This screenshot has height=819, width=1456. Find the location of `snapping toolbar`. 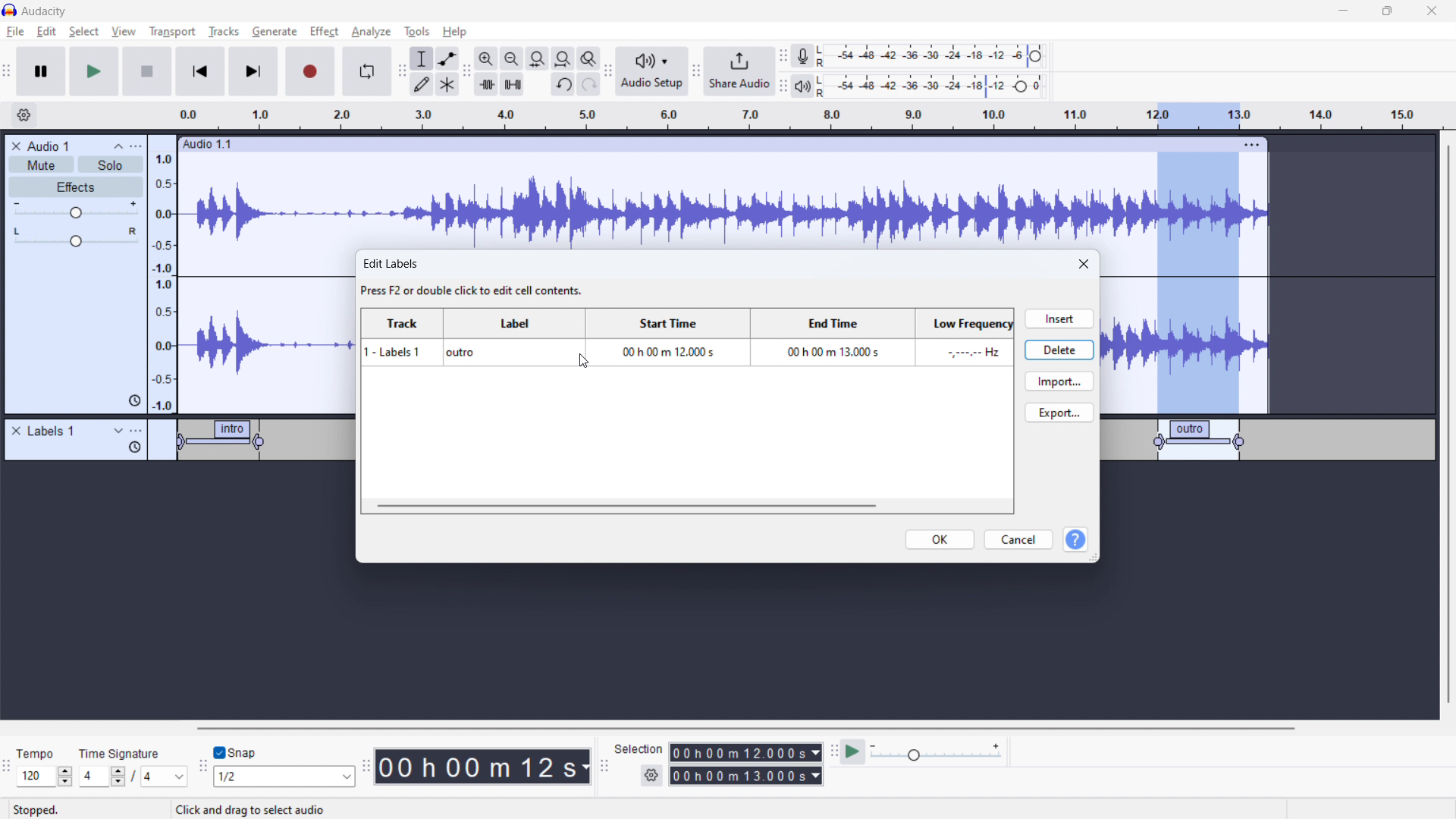

snapping toolbar is located at coordinates (203, 768).